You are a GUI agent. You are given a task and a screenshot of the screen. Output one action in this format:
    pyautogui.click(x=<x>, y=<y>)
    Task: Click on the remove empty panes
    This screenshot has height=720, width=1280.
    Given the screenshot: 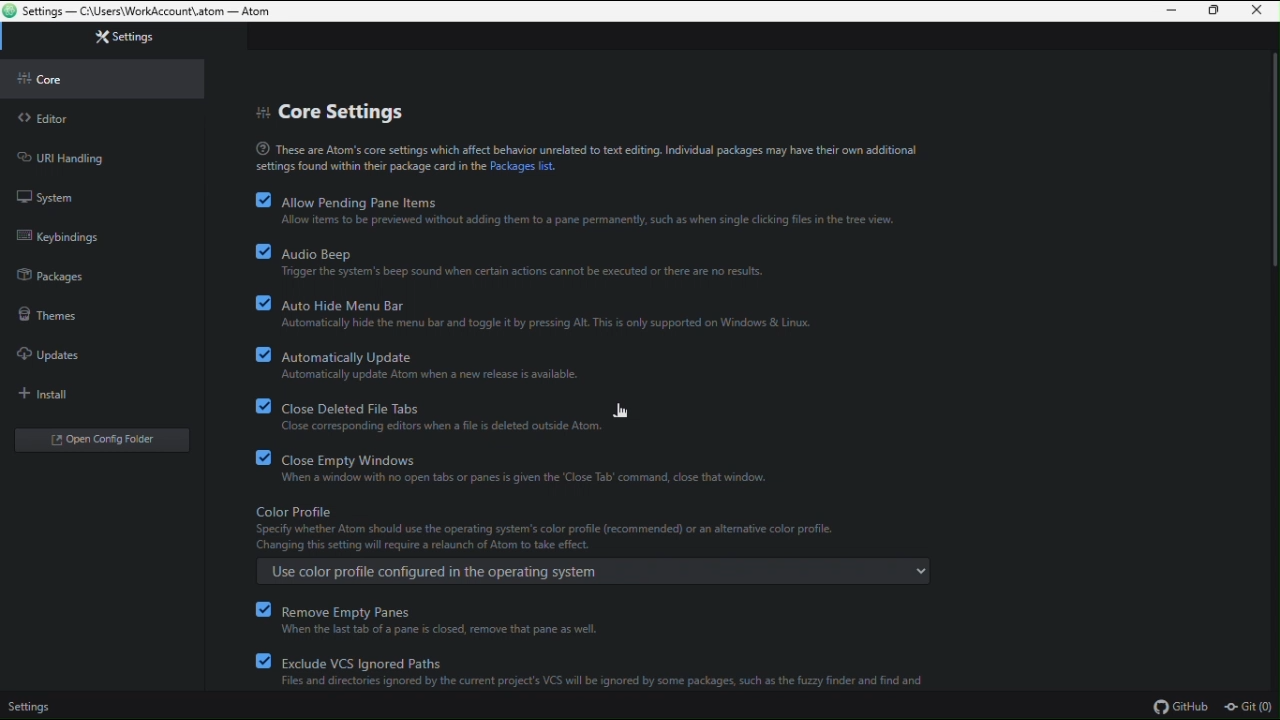 What is the action you would take?
    pyautogui.click(x=450, y=619)
    